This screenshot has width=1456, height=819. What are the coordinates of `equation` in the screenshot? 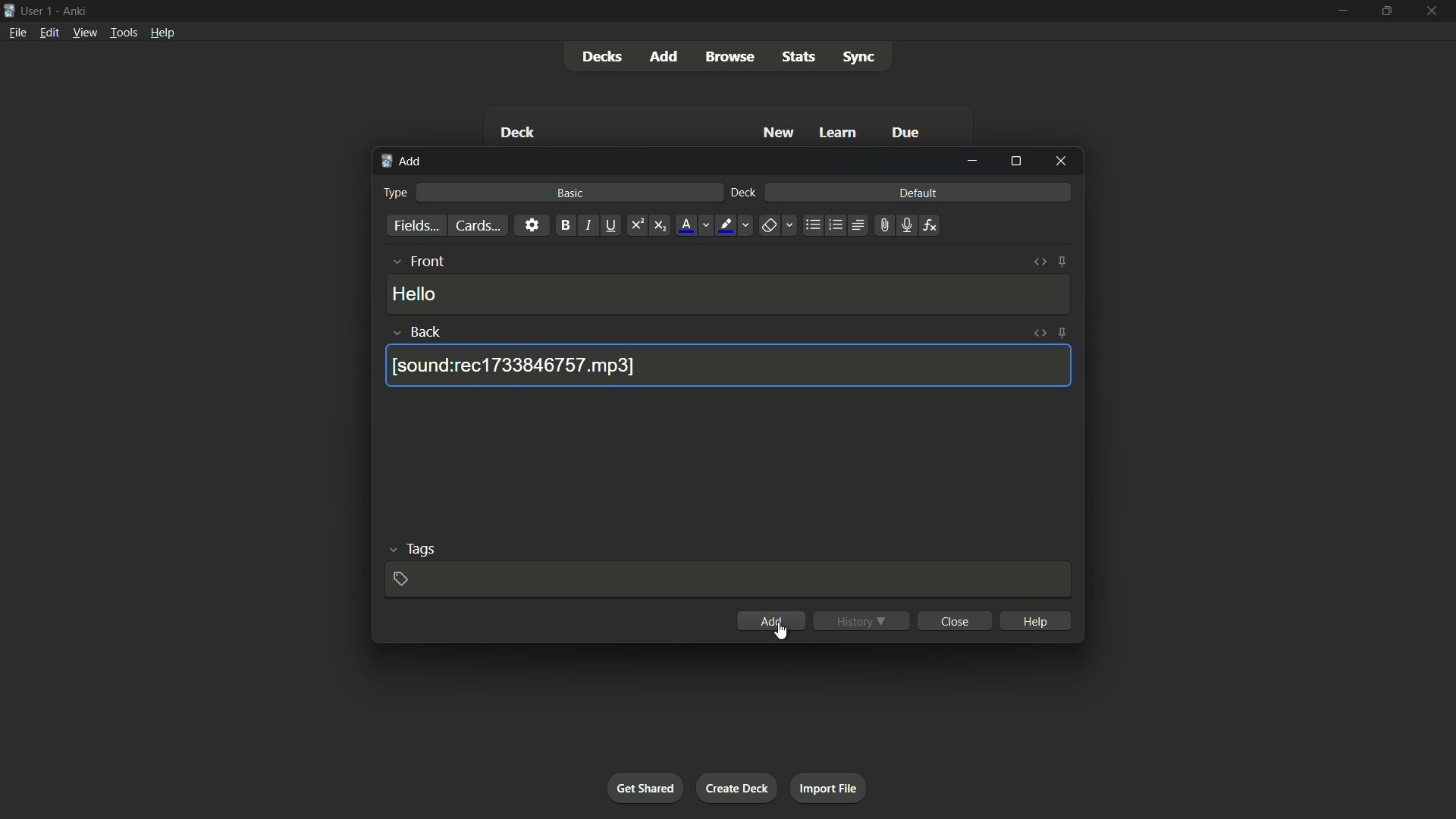 It's located at (930, 224).